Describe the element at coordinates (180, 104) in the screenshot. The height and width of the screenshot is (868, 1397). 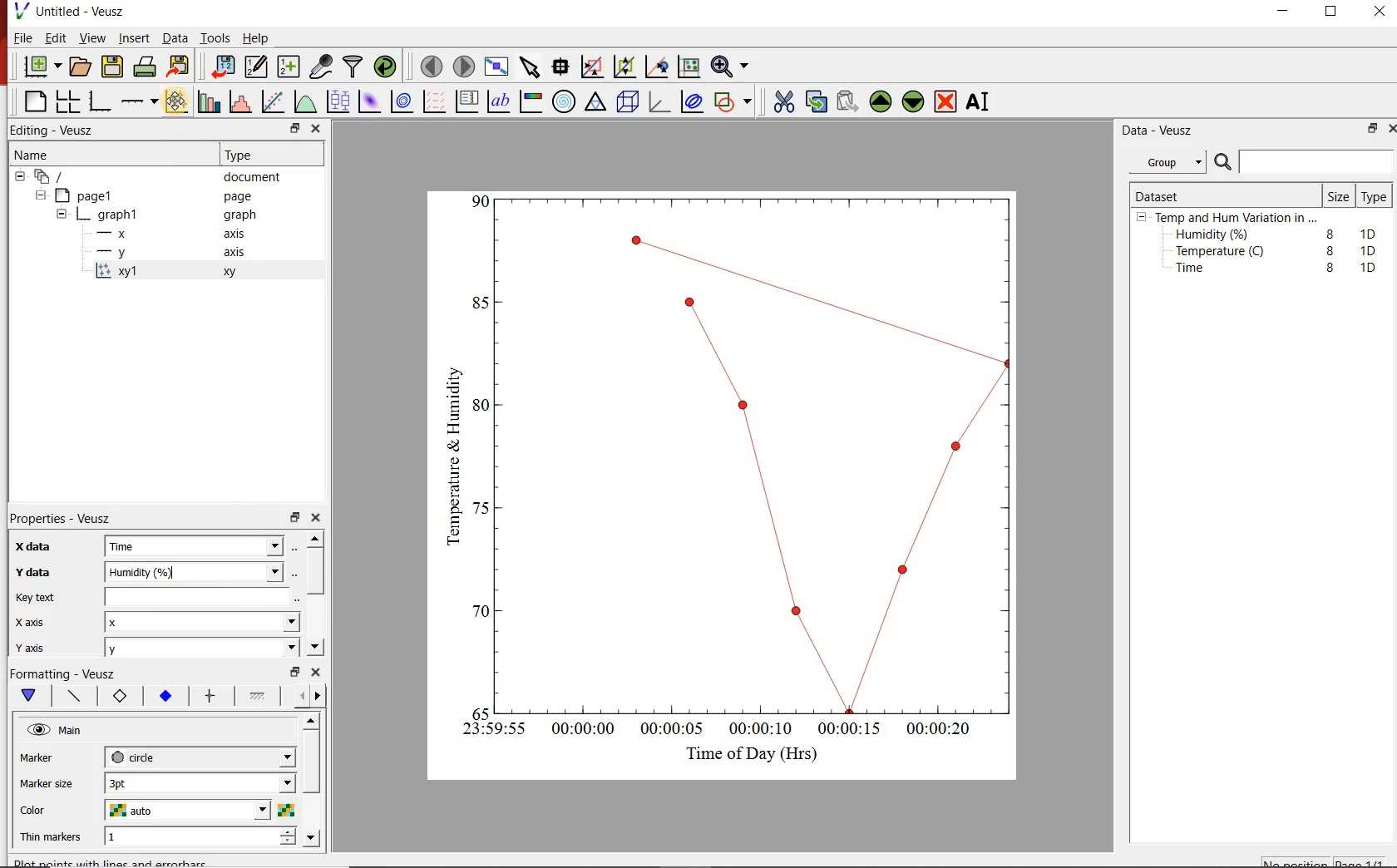
I see `Cursor` at that location.